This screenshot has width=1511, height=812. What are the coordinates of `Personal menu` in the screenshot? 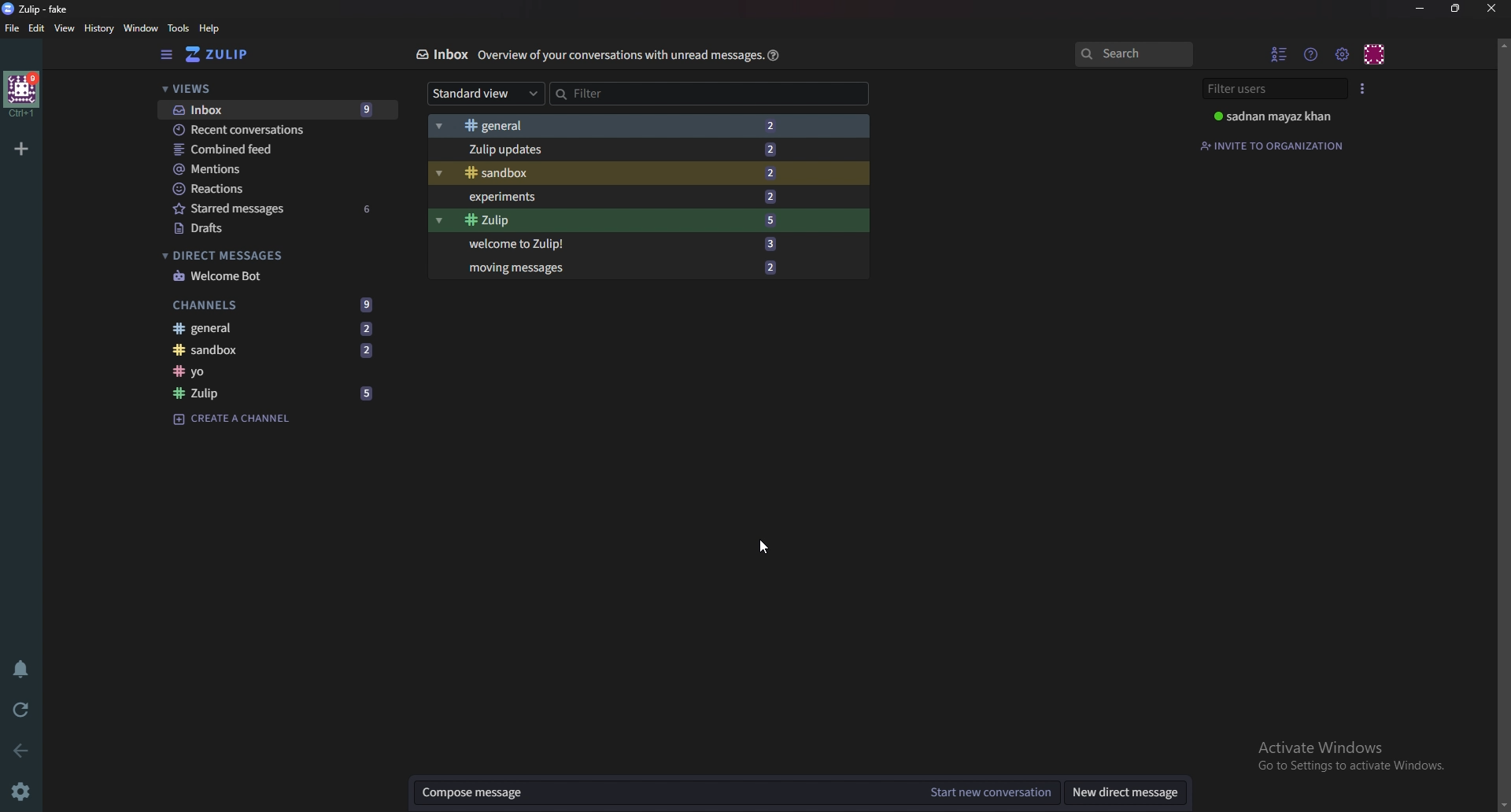 It's located at (1373, 54).